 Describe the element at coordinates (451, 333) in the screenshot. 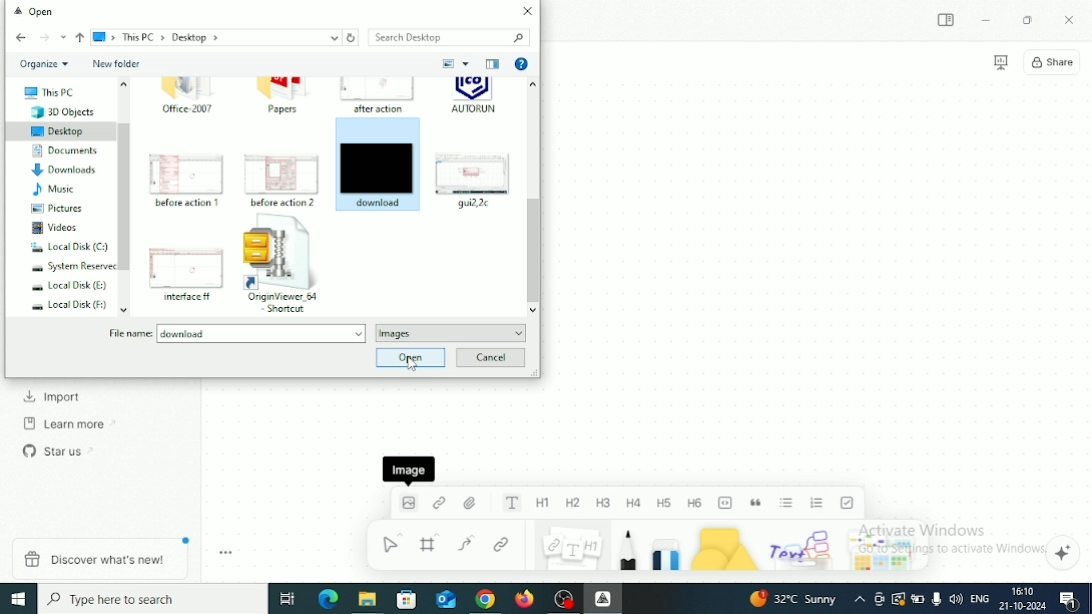

I see `Images` at that location.